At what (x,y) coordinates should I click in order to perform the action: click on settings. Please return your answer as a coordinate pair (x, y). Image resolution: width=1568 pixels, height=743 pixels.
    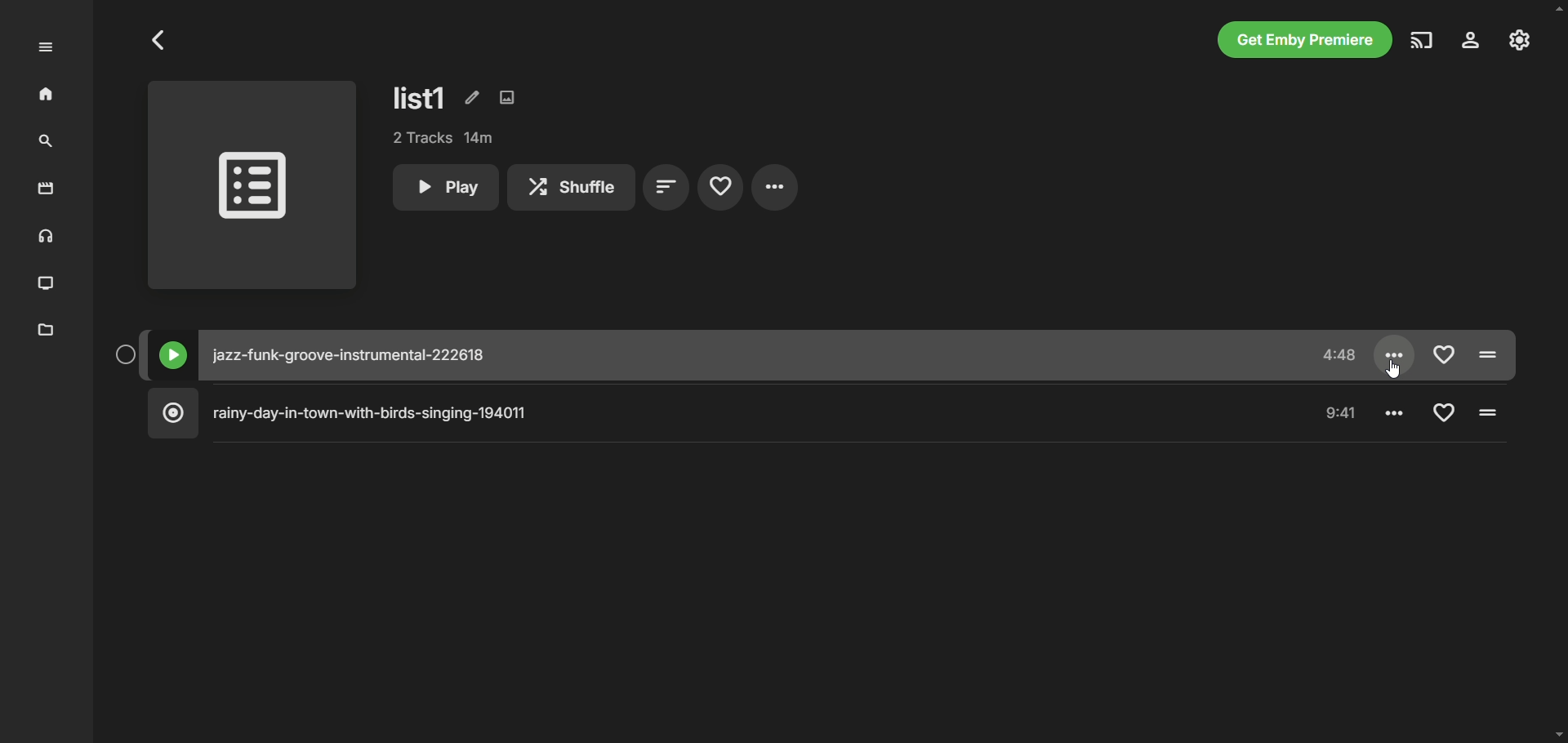
    Looking at the image, I should click on (1472, 40).